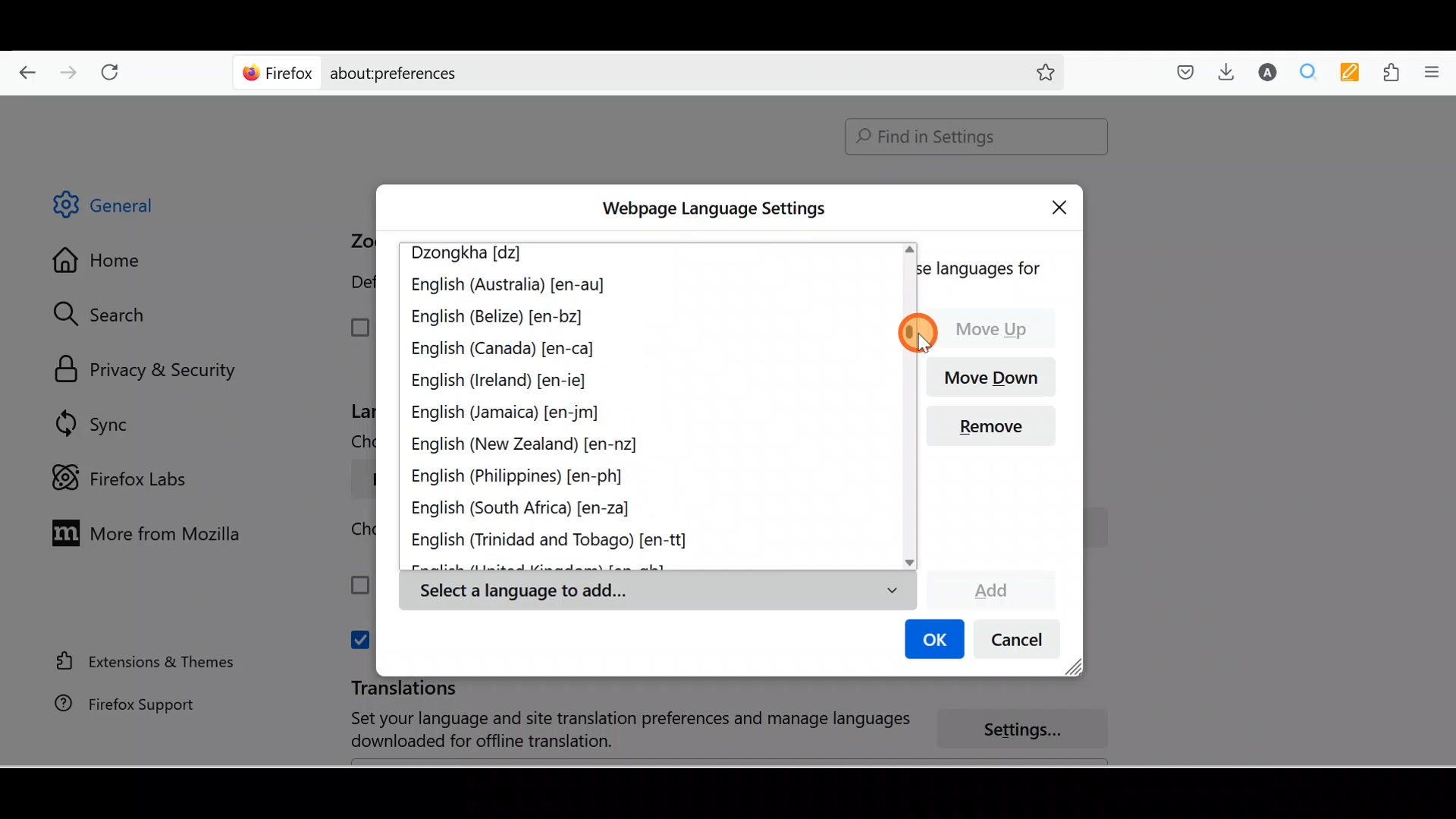  What do you see at coordinates (997, 375) in the screenshot?
I see `Move Down` at bounding box center [997, 375].